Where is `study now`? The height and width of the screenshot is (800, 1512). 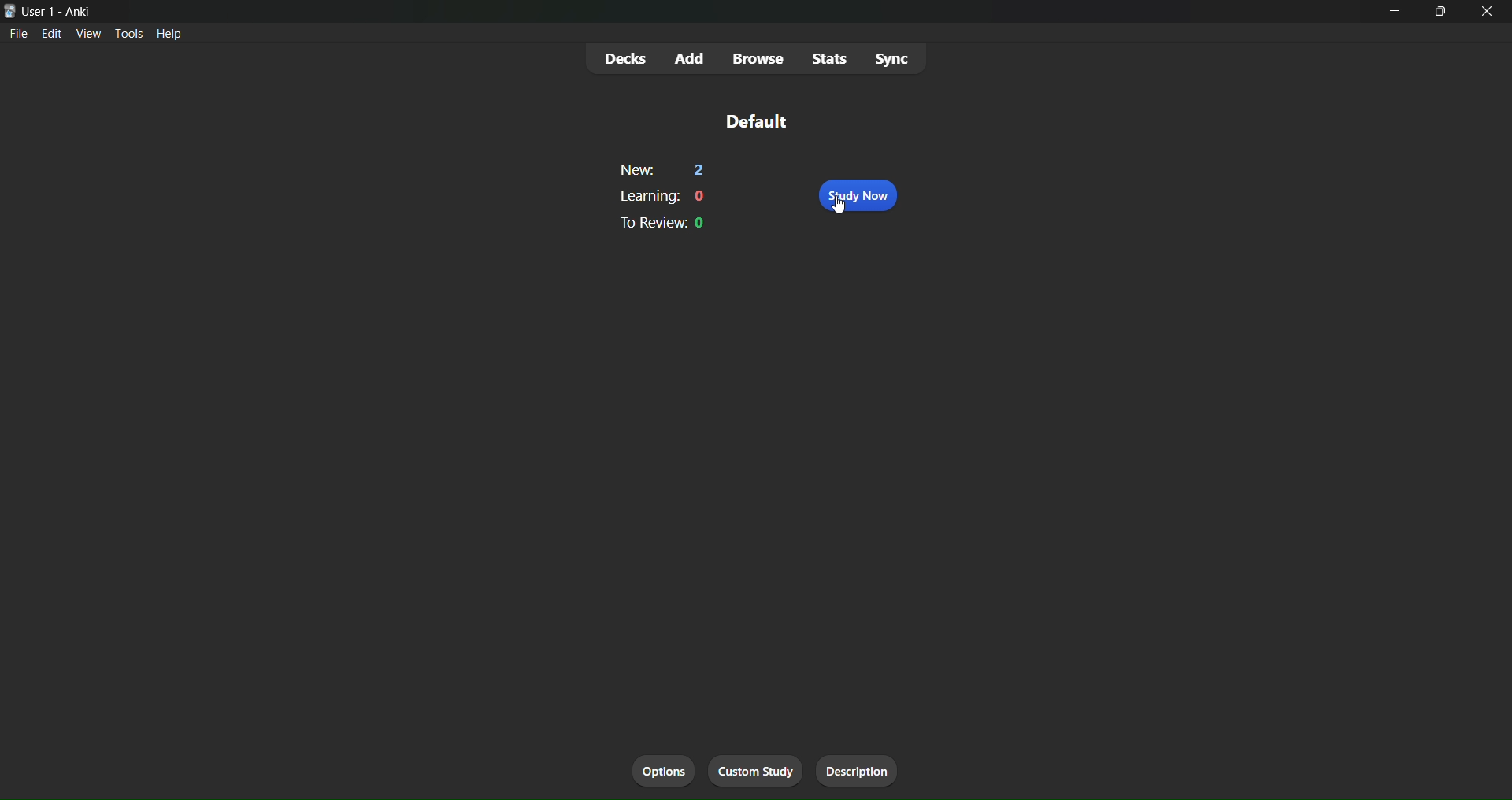 study now is located at coordinates (861, 197).